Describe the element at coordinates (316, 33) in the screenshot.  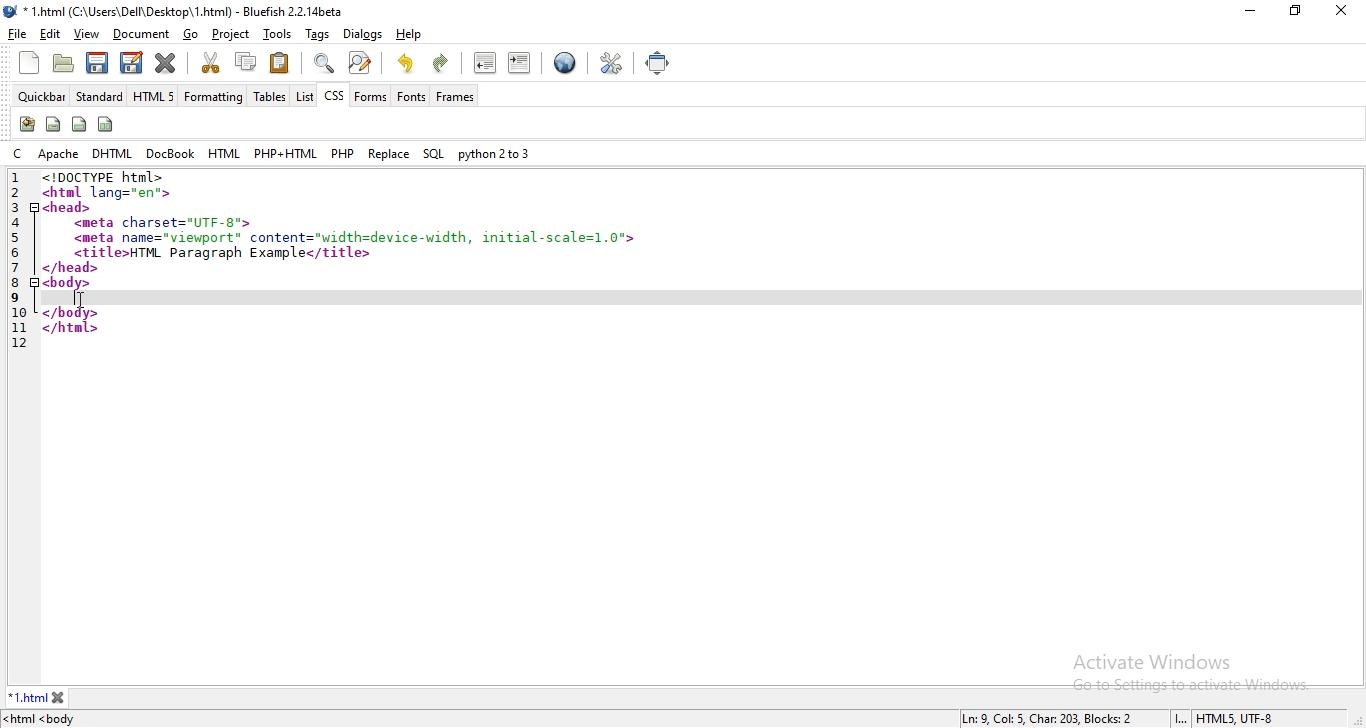
I see `tags` at that location.